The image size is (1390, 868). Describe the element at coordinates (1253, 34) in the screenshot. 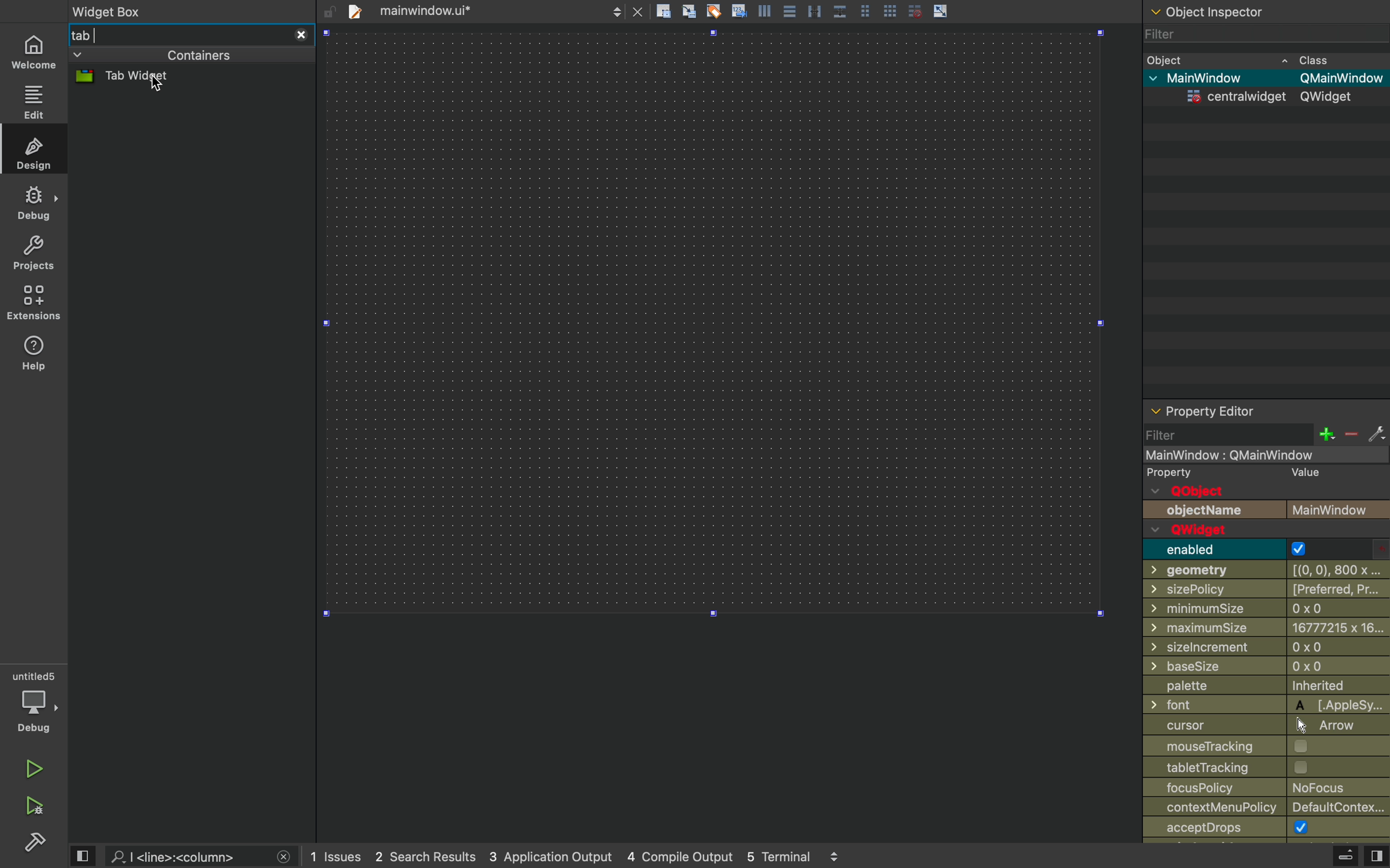

I see `filter` at that location.